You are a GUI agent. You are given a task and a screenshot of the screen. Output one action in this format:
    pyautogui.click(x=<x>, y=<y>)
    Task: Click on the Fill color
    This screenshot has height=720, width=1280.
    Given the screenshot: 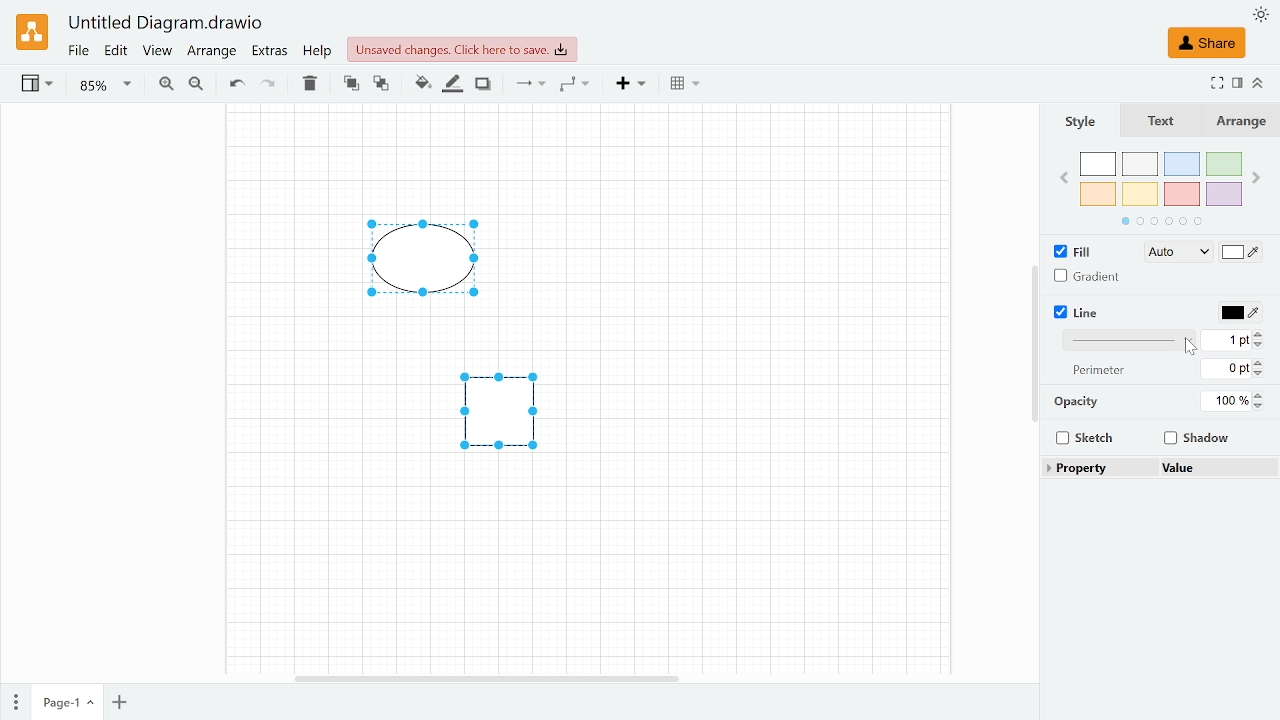 What is the action you would take?
    pyautogui.click(x=420, y=86)
    